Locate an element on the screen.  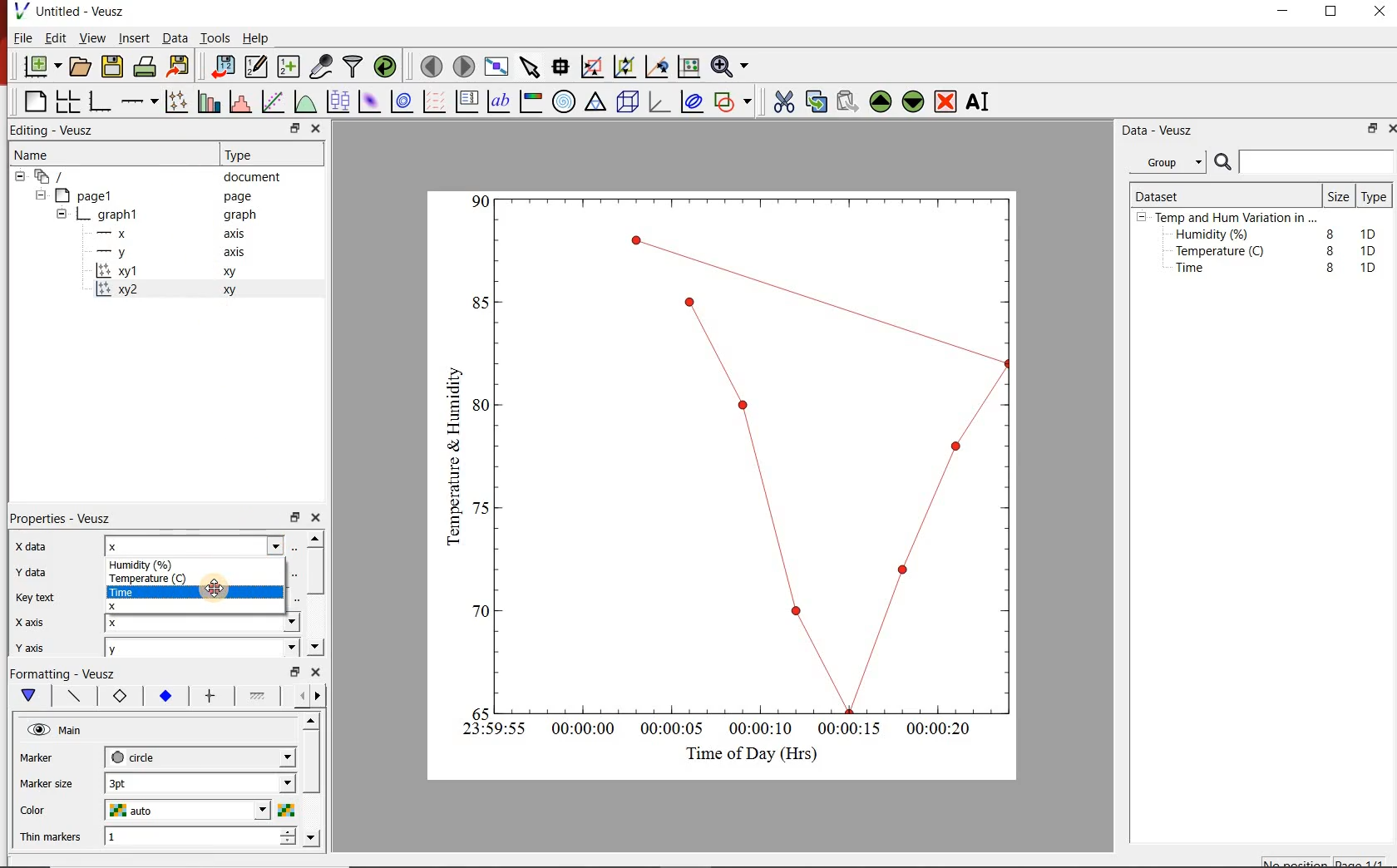
new document is located at coordinates (41, 67).